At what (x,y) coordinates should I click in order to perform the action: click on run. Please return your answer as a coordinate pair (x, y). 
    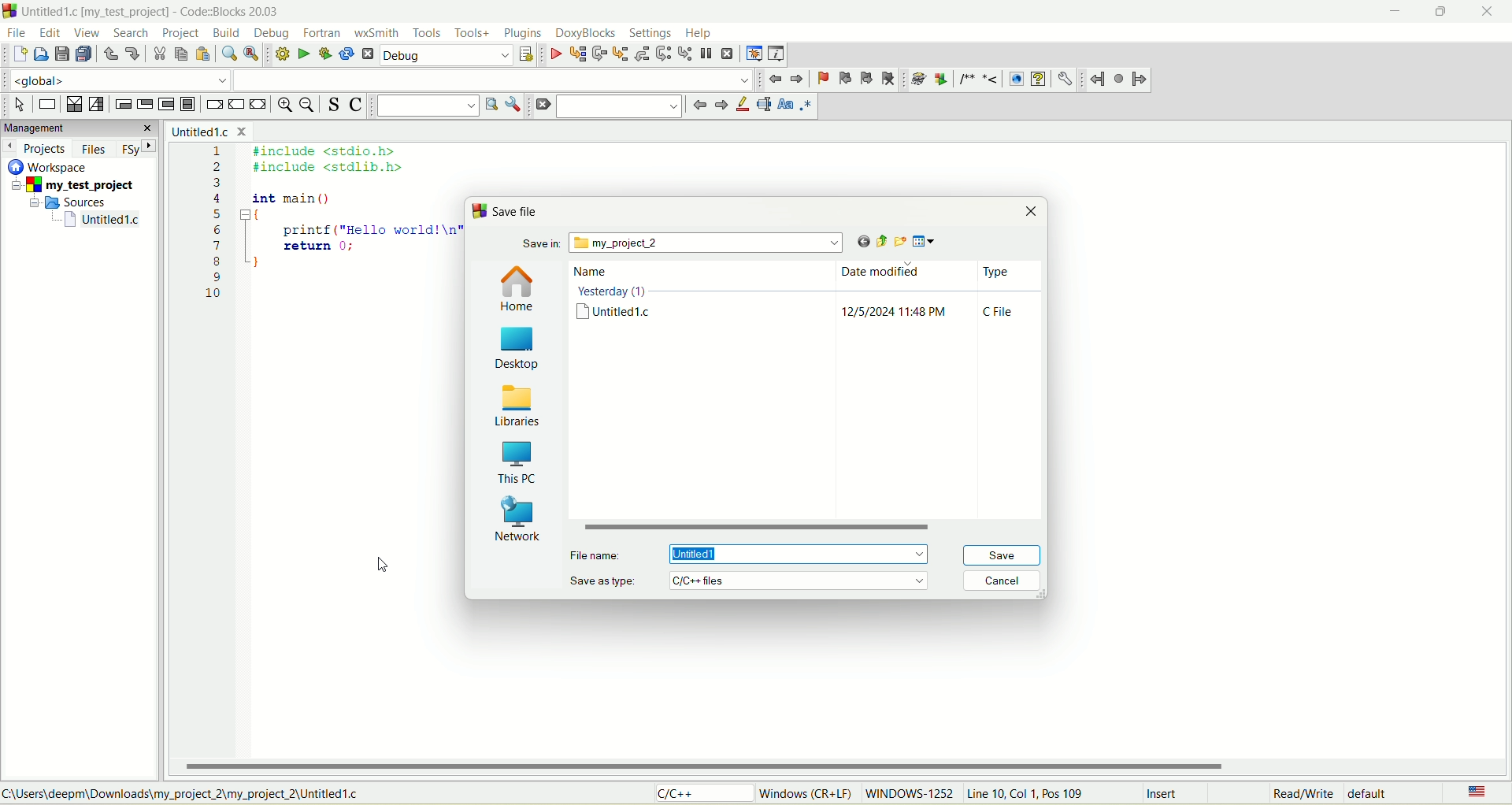
    Looking at the image, I should click on (303, 53).